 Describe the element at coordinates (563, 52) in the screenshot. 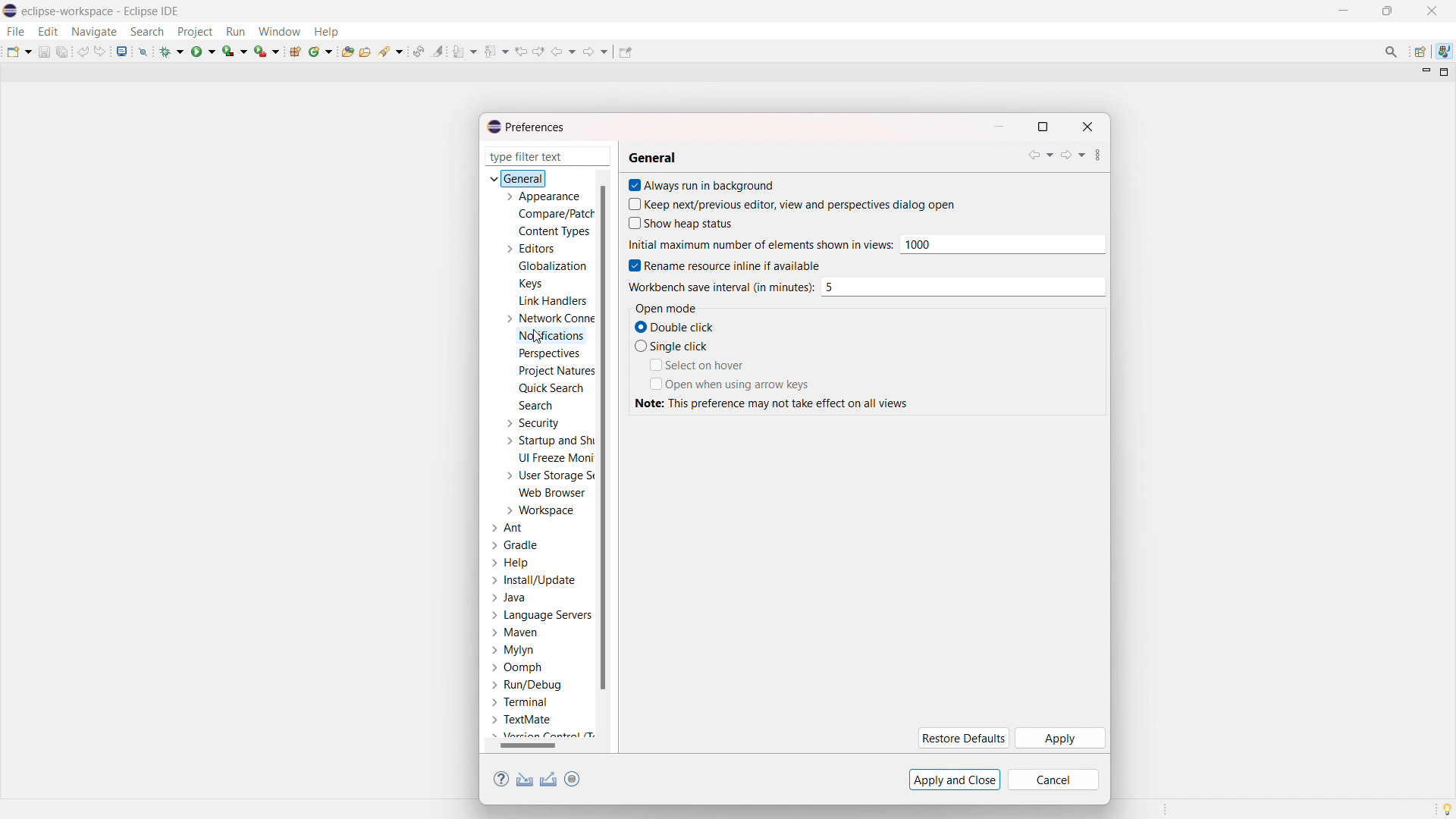

I see `back` at that location.